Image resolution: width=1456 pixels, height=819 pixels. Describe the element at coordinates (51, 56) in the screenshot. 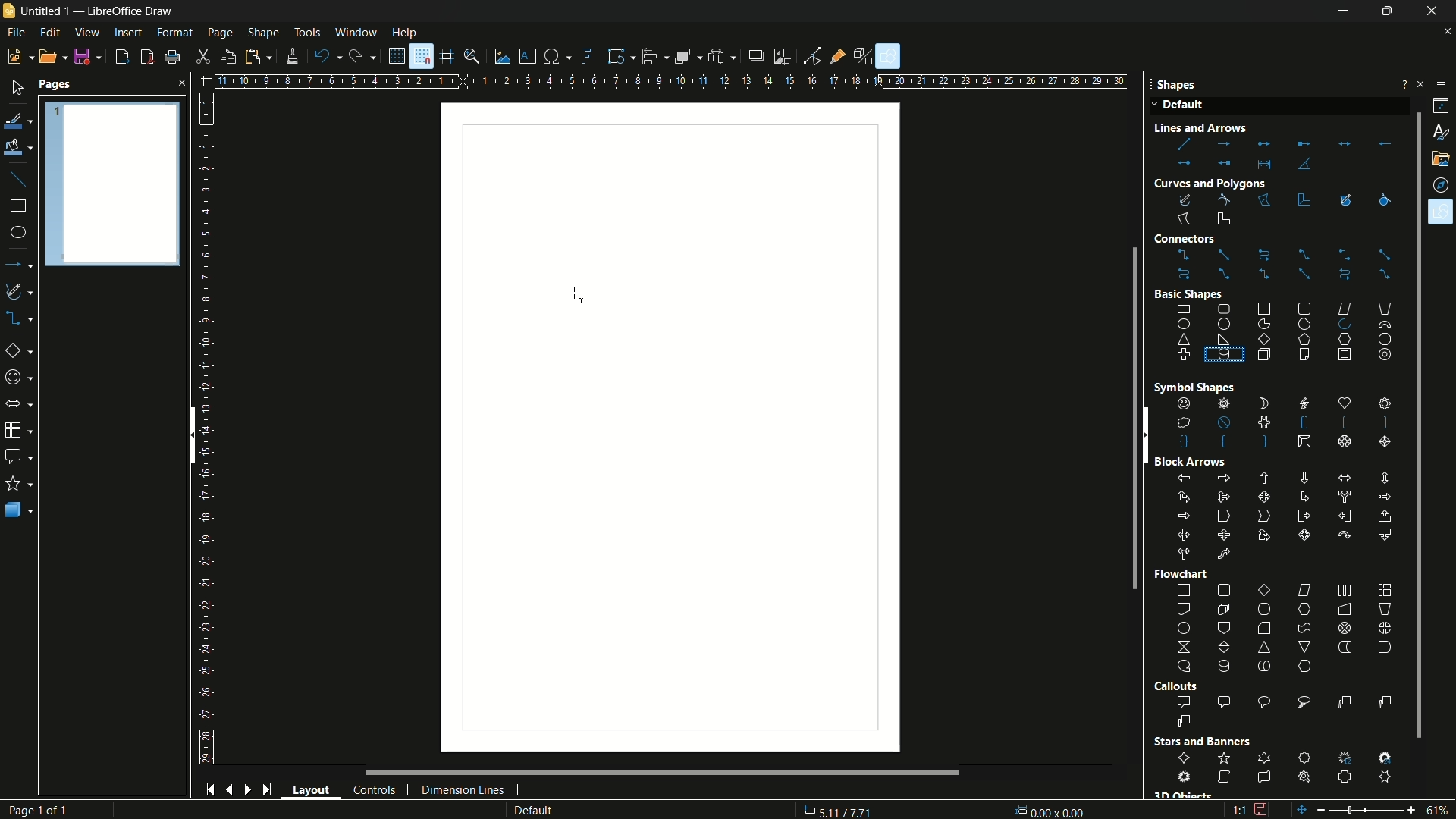

I see `open file` at that location.